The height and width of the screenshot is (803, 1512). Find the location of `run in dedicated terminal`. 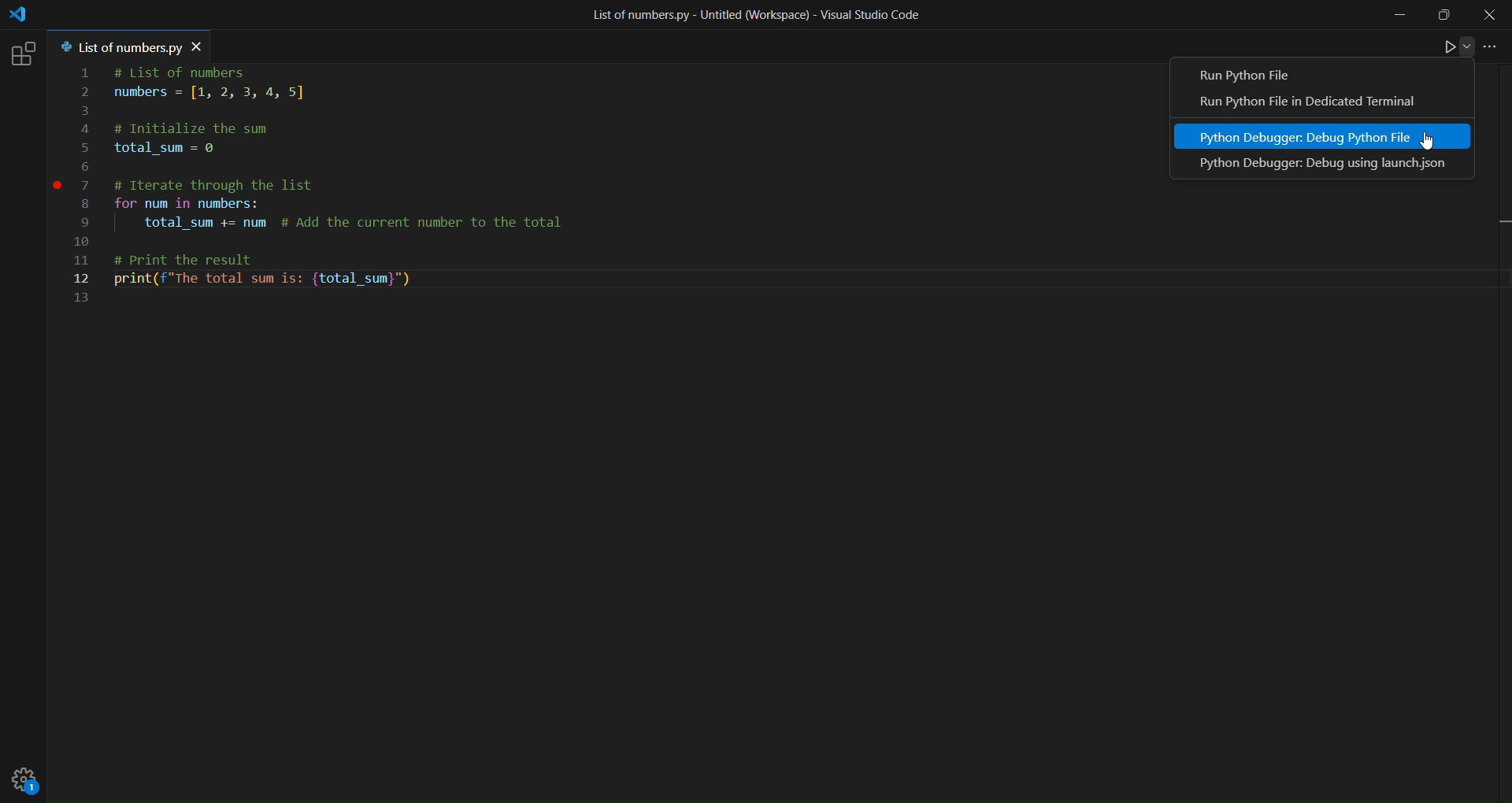

run in dedicated terminal is located at coordinates (1317, 104).